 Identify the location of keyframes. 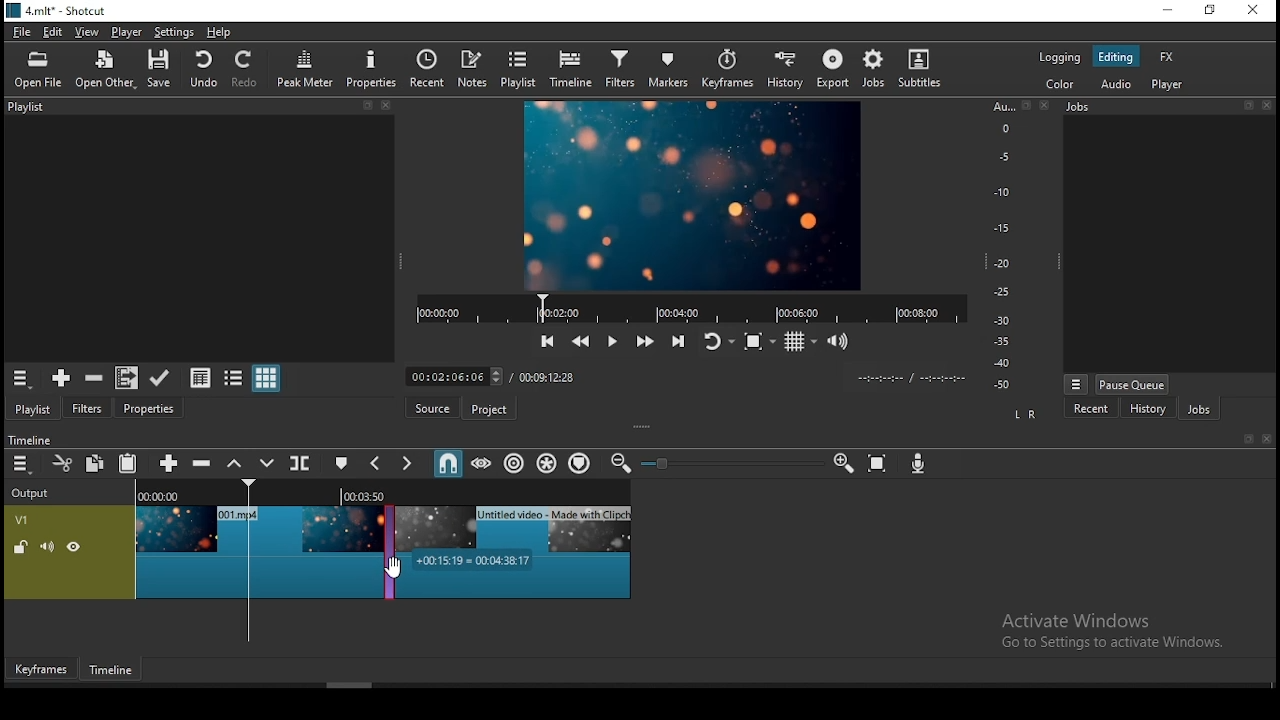
(731, 69).